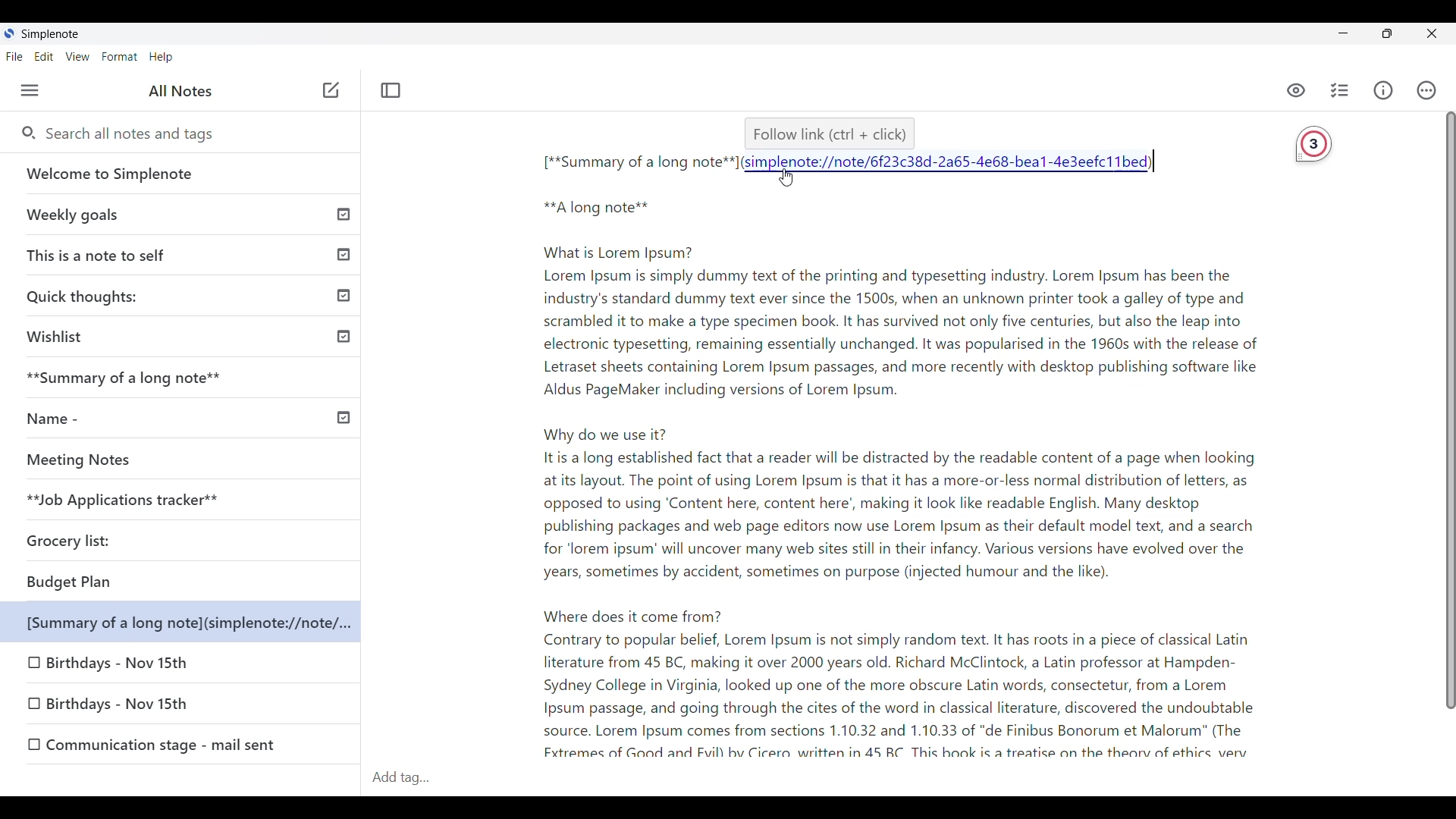 This screenshot has height=819, width=1456. What do you see at coordinates (184, 335) in the screenshot?
I see `Wishlist` at bounding box center [184, 335].